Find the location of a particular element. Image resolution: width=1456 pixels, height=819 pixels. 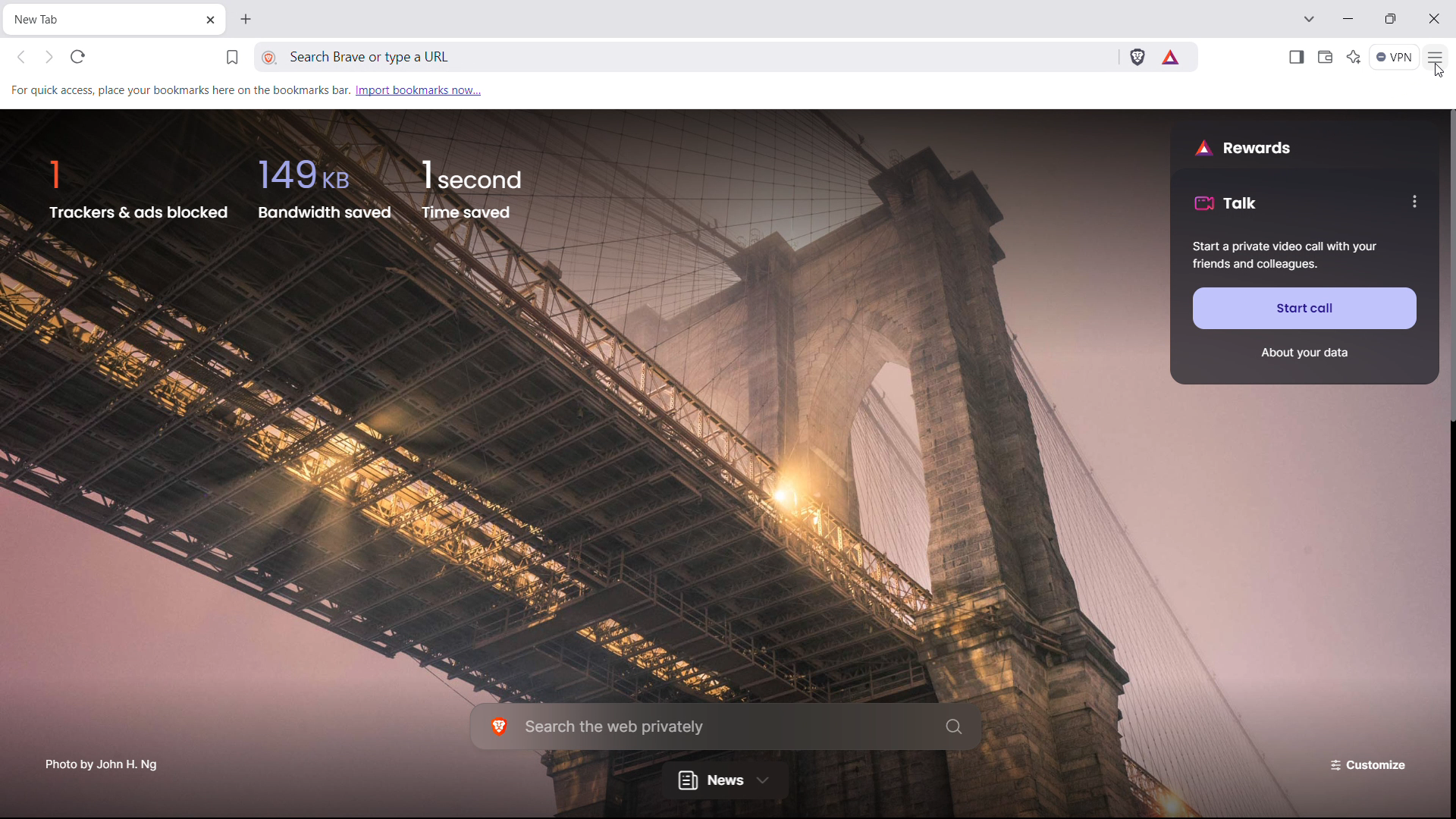

New Tab is located at coordinates (101, 20).